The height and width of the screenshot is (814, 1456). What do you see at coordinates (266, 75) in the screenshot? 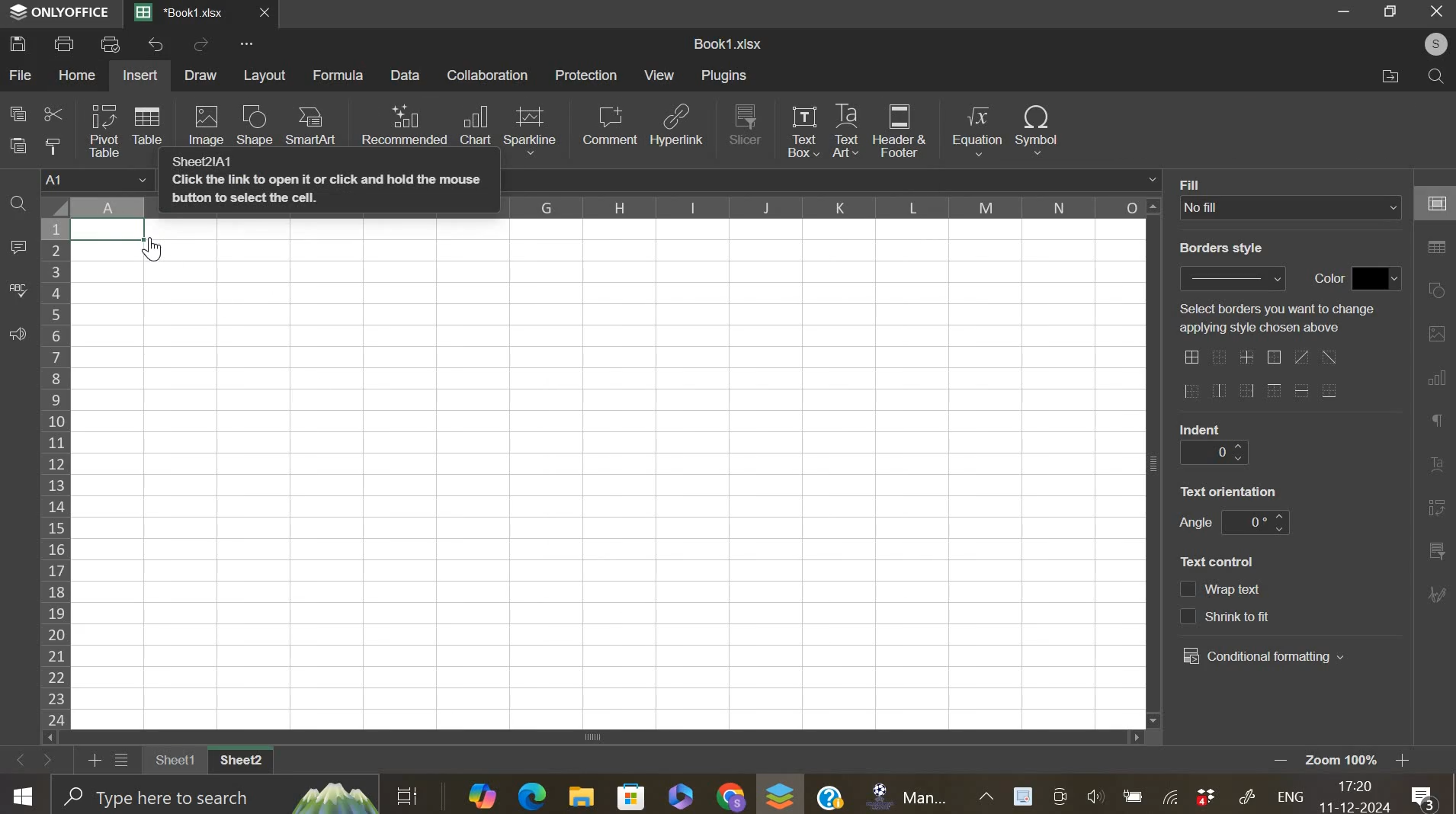
I see `layout` at bounding box center [266, 75].